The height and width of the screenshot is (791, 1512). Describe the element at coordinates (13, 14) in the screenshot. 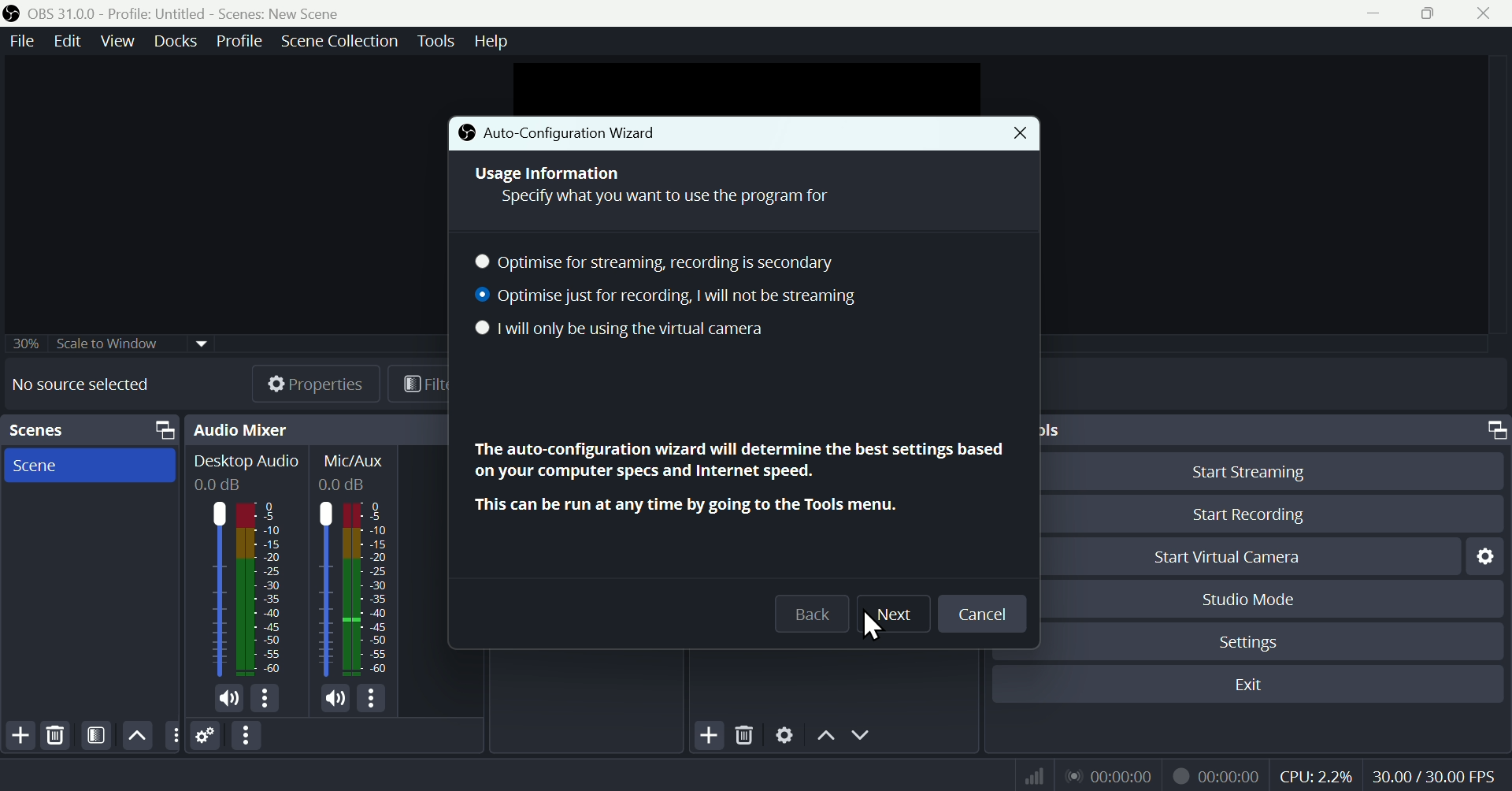

I see `icon` at that location.